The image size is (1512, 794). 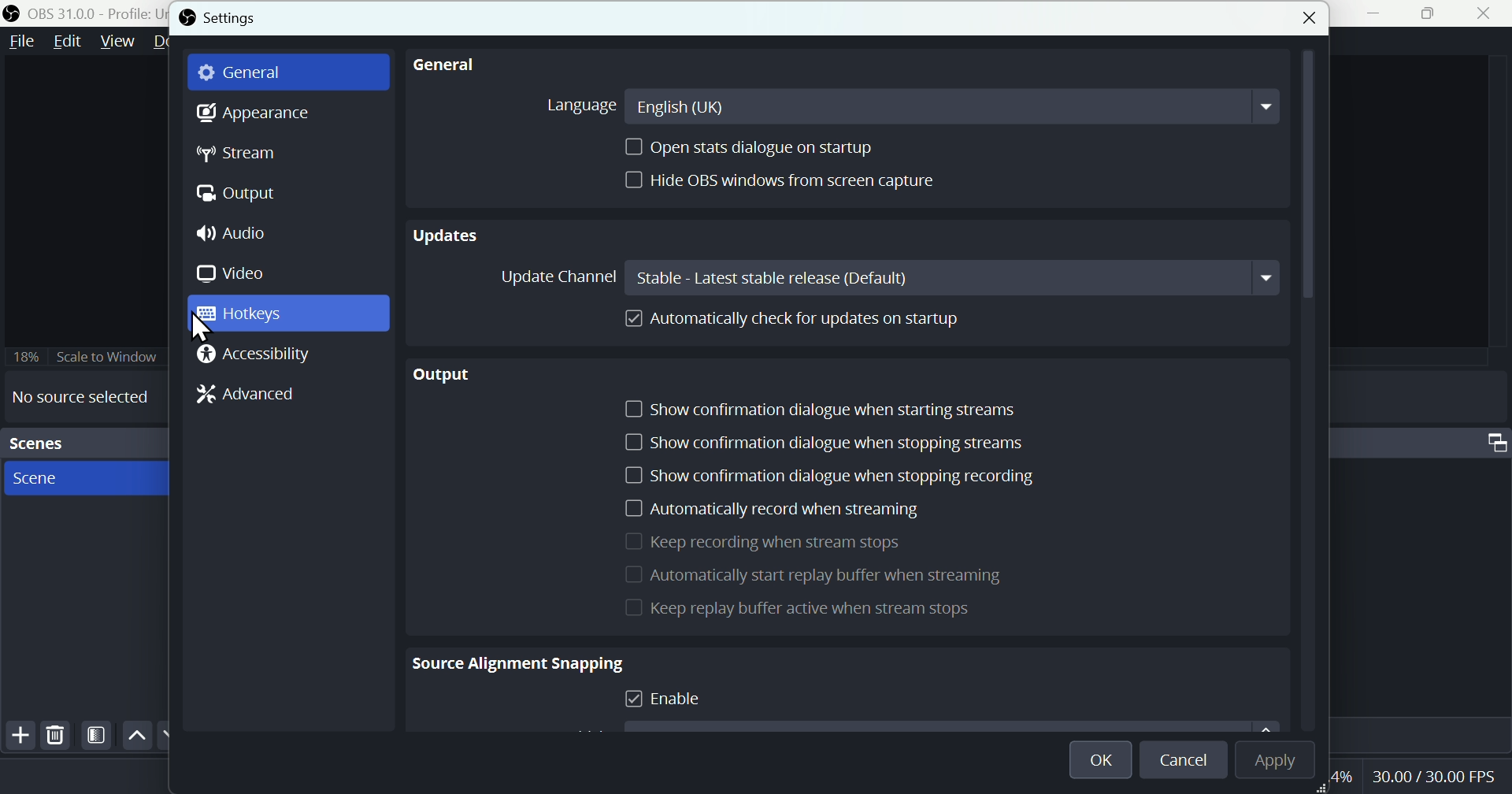 I want to click on Automatically record when streaming, so click(x=801, y=510).